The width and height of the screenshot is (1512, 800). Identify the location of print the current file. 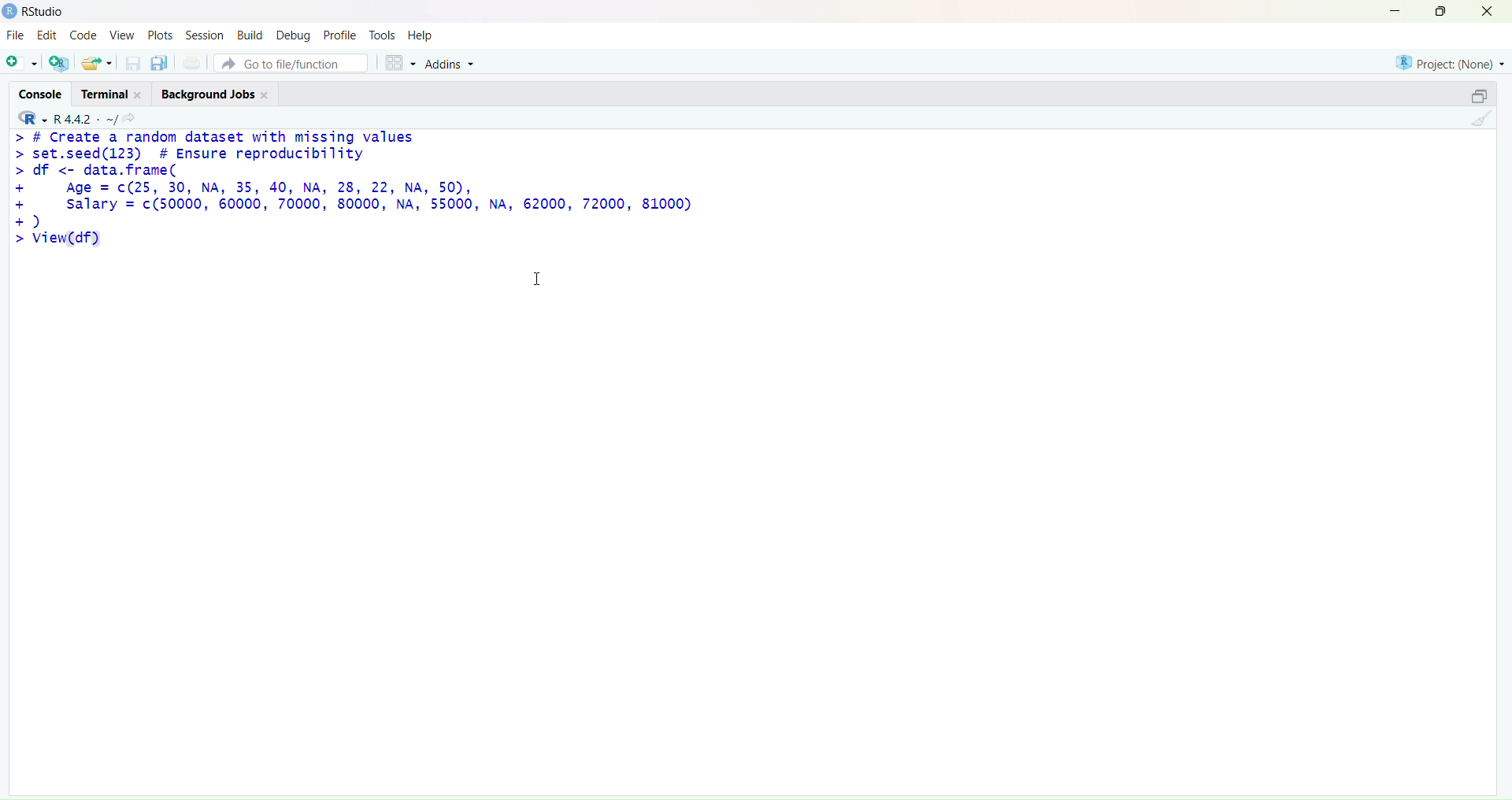
(193, 64).